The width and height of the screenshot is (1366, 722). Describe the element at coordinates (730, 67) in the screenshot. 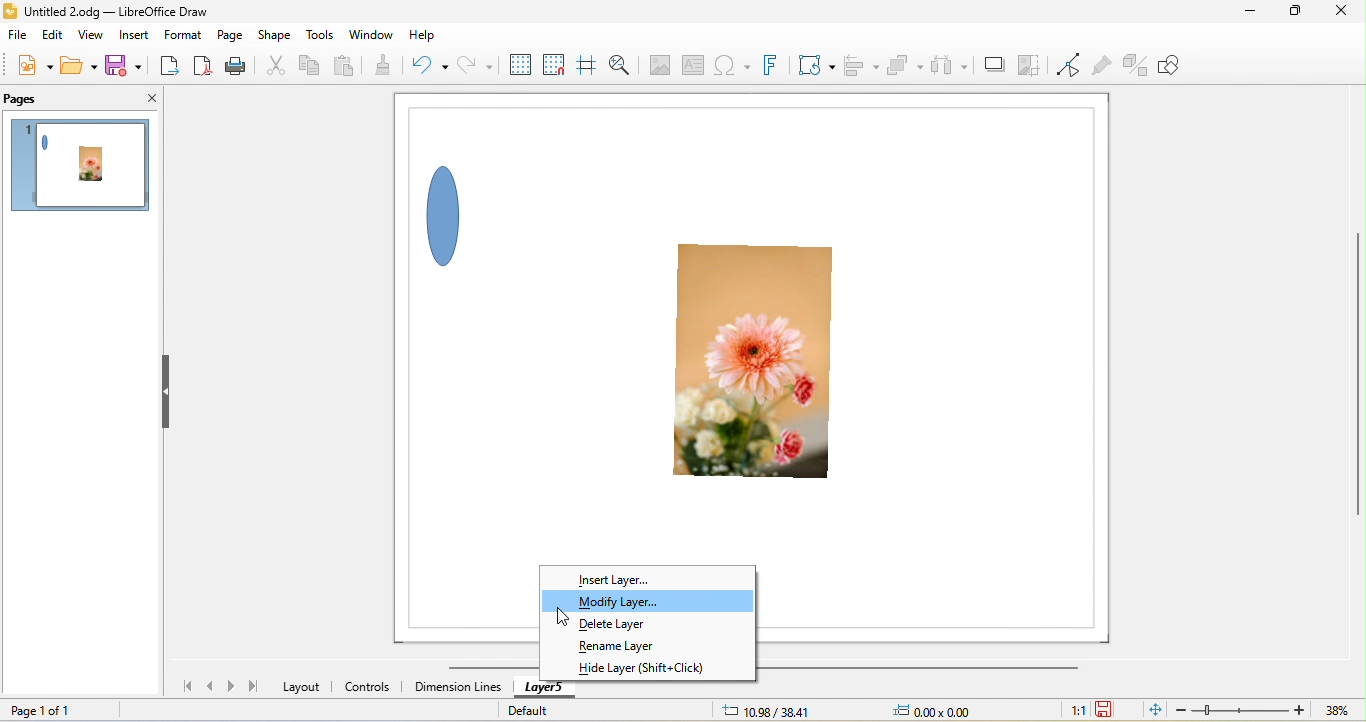

I see `special character` at that location.